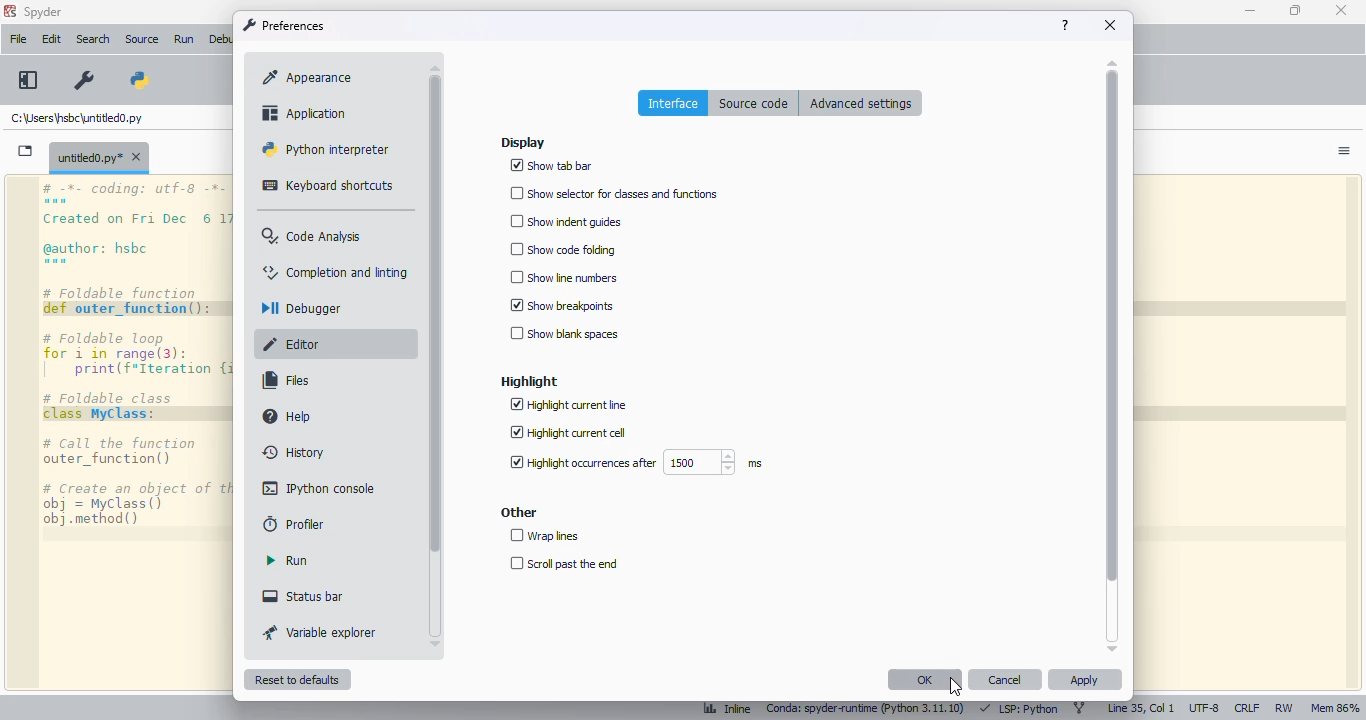 The height and width of the screenshot is (720, 1366). What do you see at coordinates (9, 11) in the screenshot?
I see `logo` at bounding box center [9, 11].